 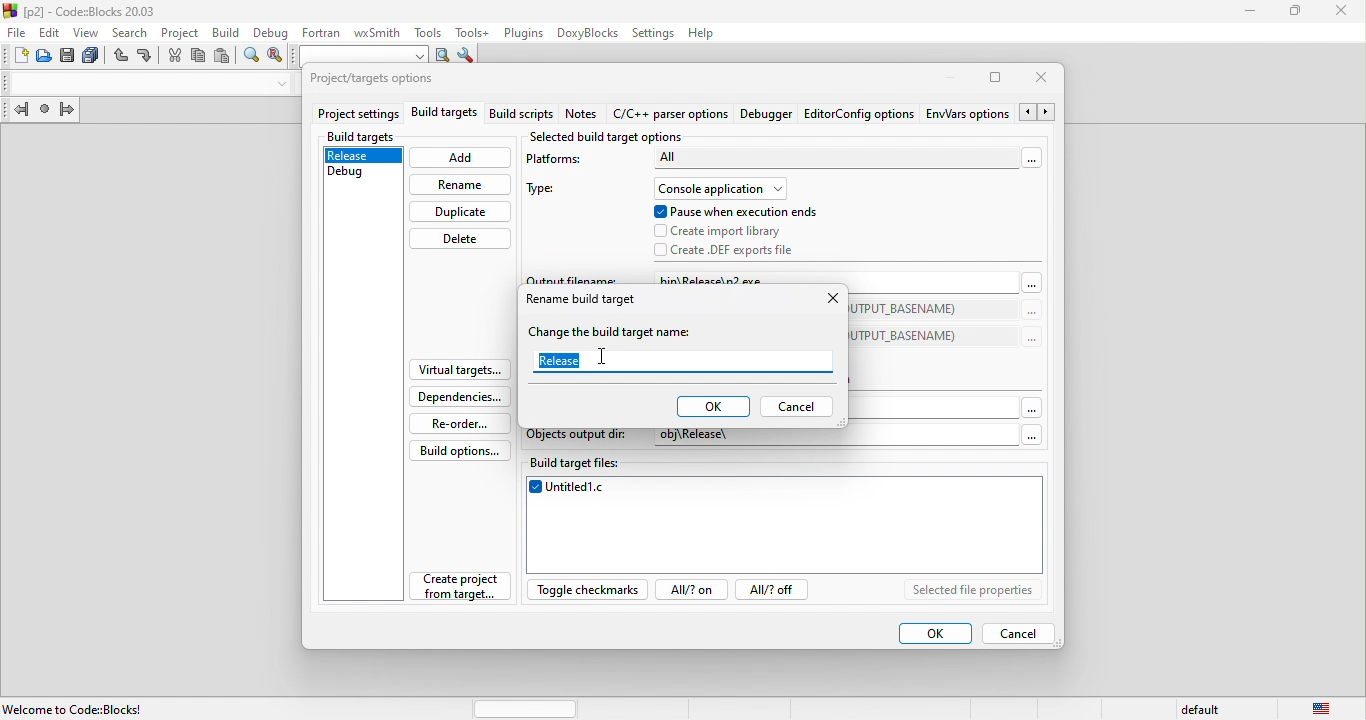 What do you see at coordinates (1031, 406) in the screenshot?
I see `More` at bounding box center [1031, 406].